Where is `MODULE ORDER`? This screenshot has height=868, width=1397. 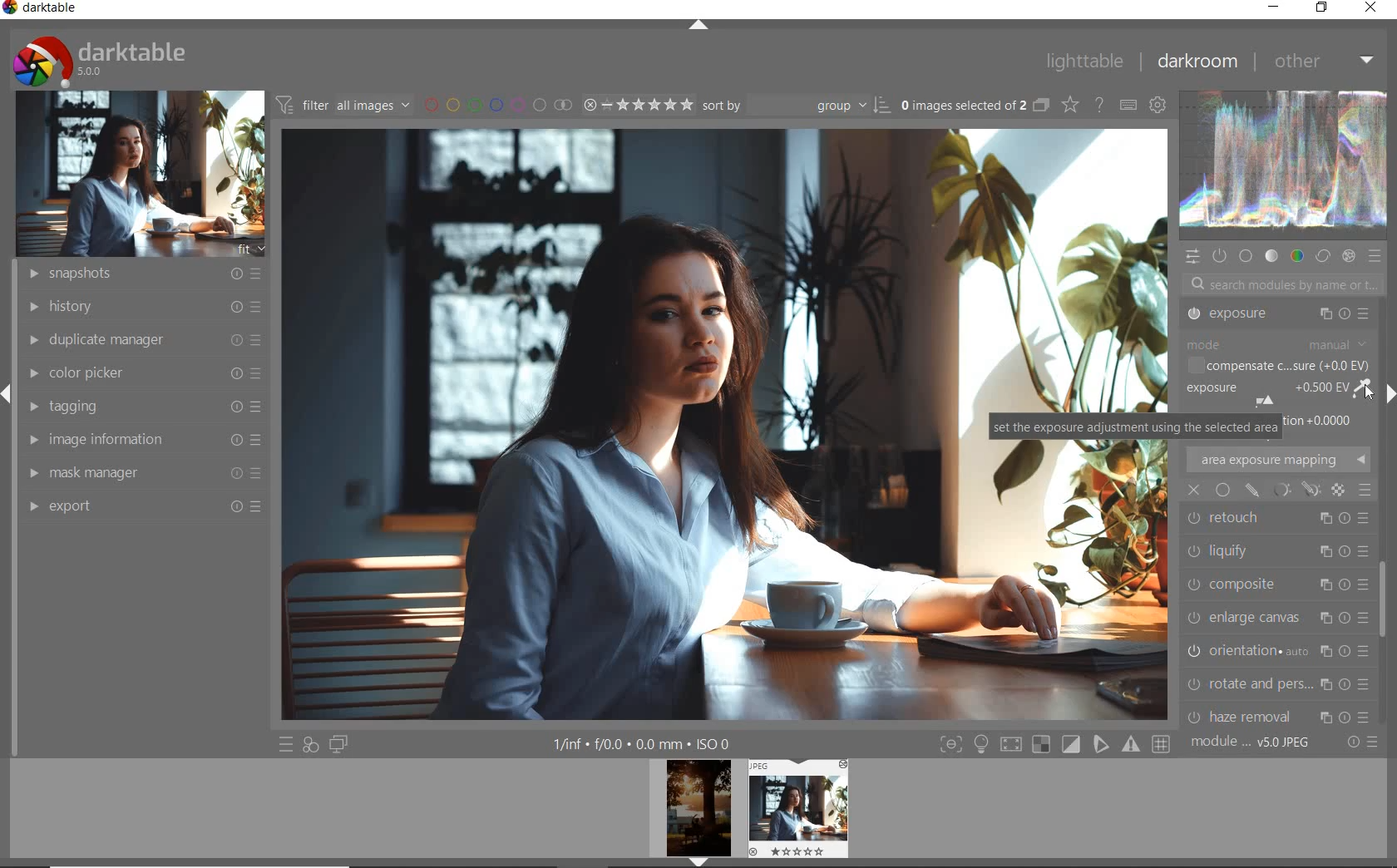 MODULE ORDER is located at coordinates (1251, 743).